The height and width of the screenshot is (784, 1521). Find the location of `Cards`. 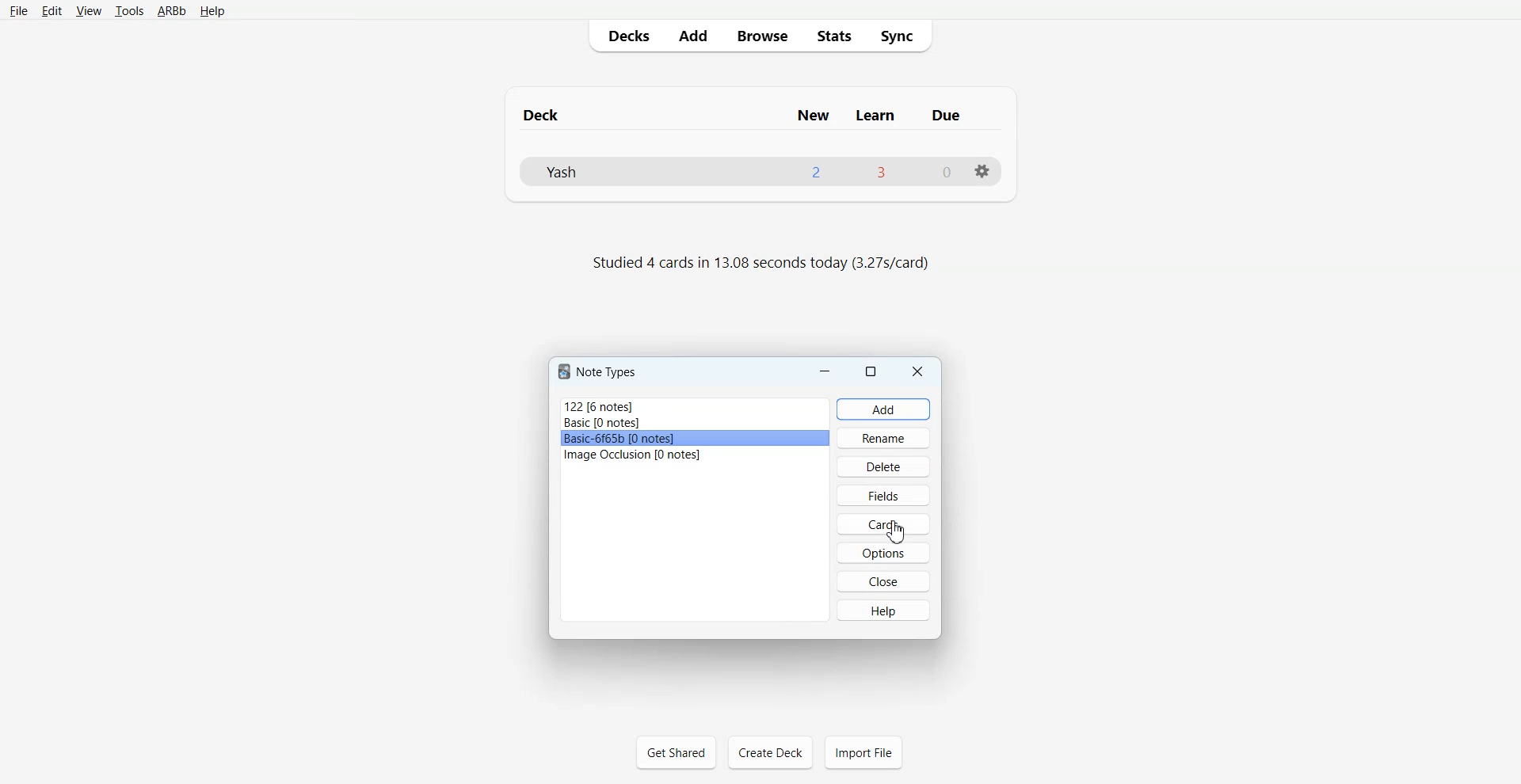

Cards is located at coordinates (882, 524).